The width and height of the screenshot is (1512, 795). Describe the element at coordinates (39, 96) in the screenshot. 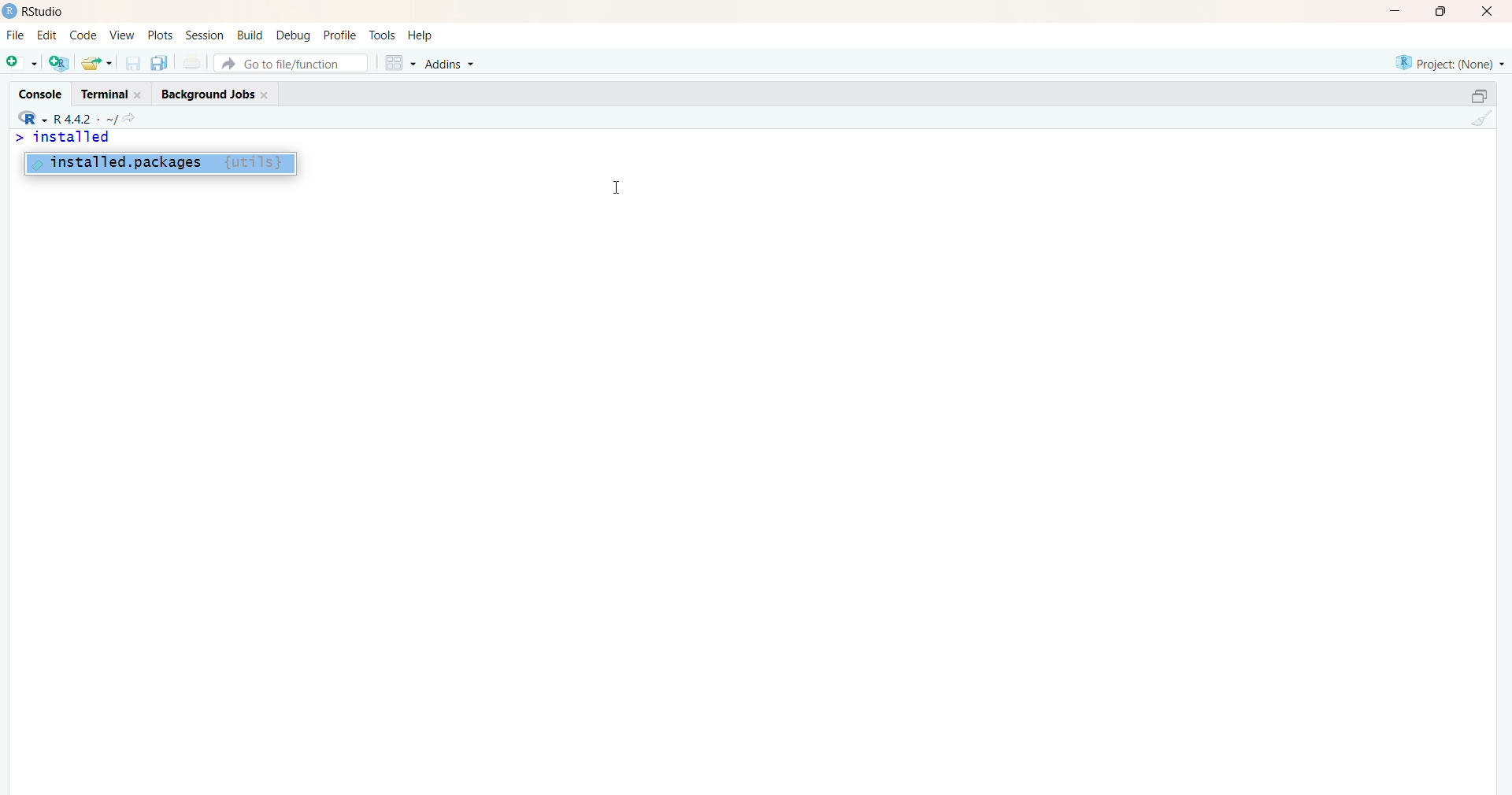

I see `console` at that location.